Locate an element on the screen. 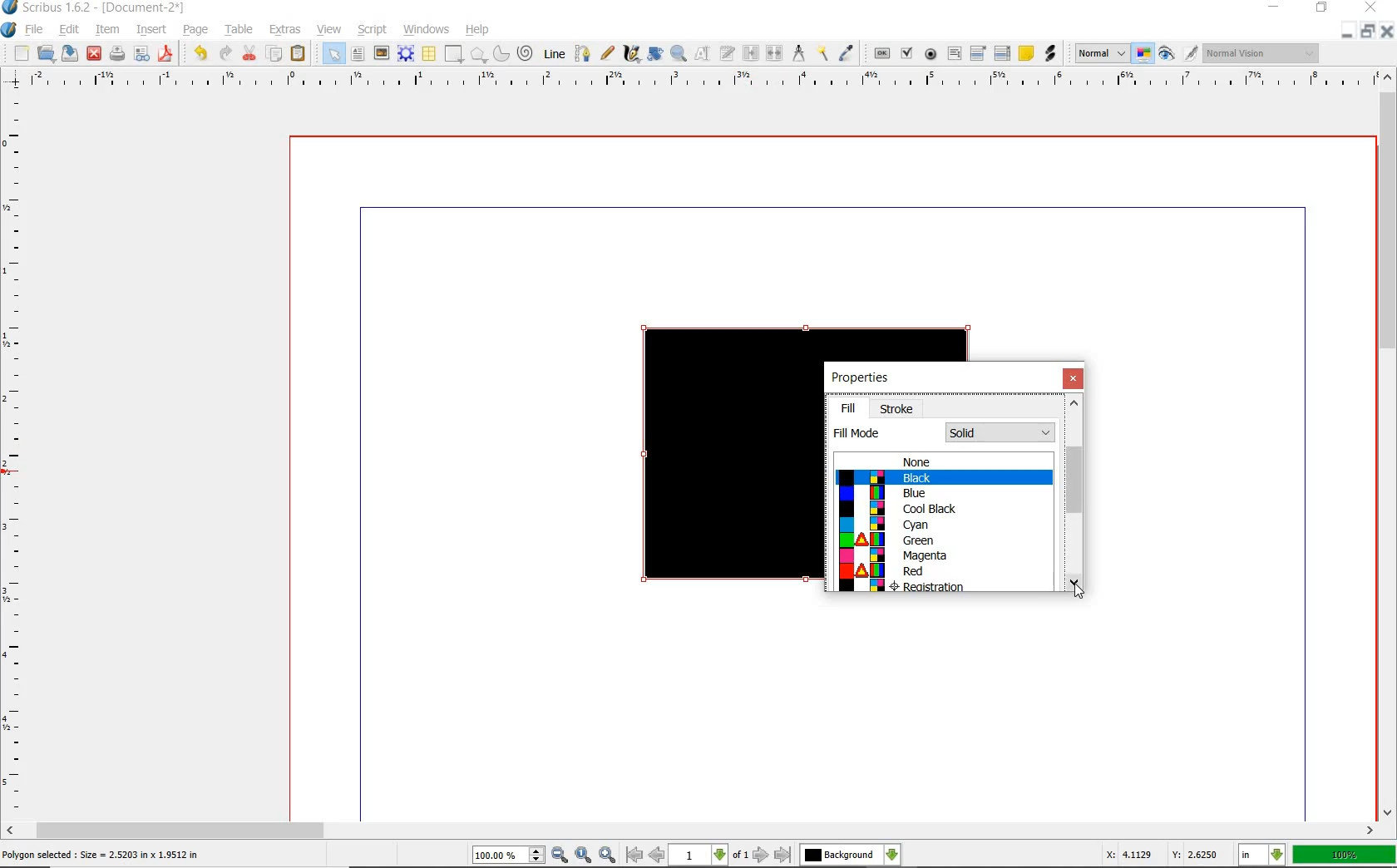 The width and height of the screenshot is (1397, 868). redo is located at coordinates (225, 54).